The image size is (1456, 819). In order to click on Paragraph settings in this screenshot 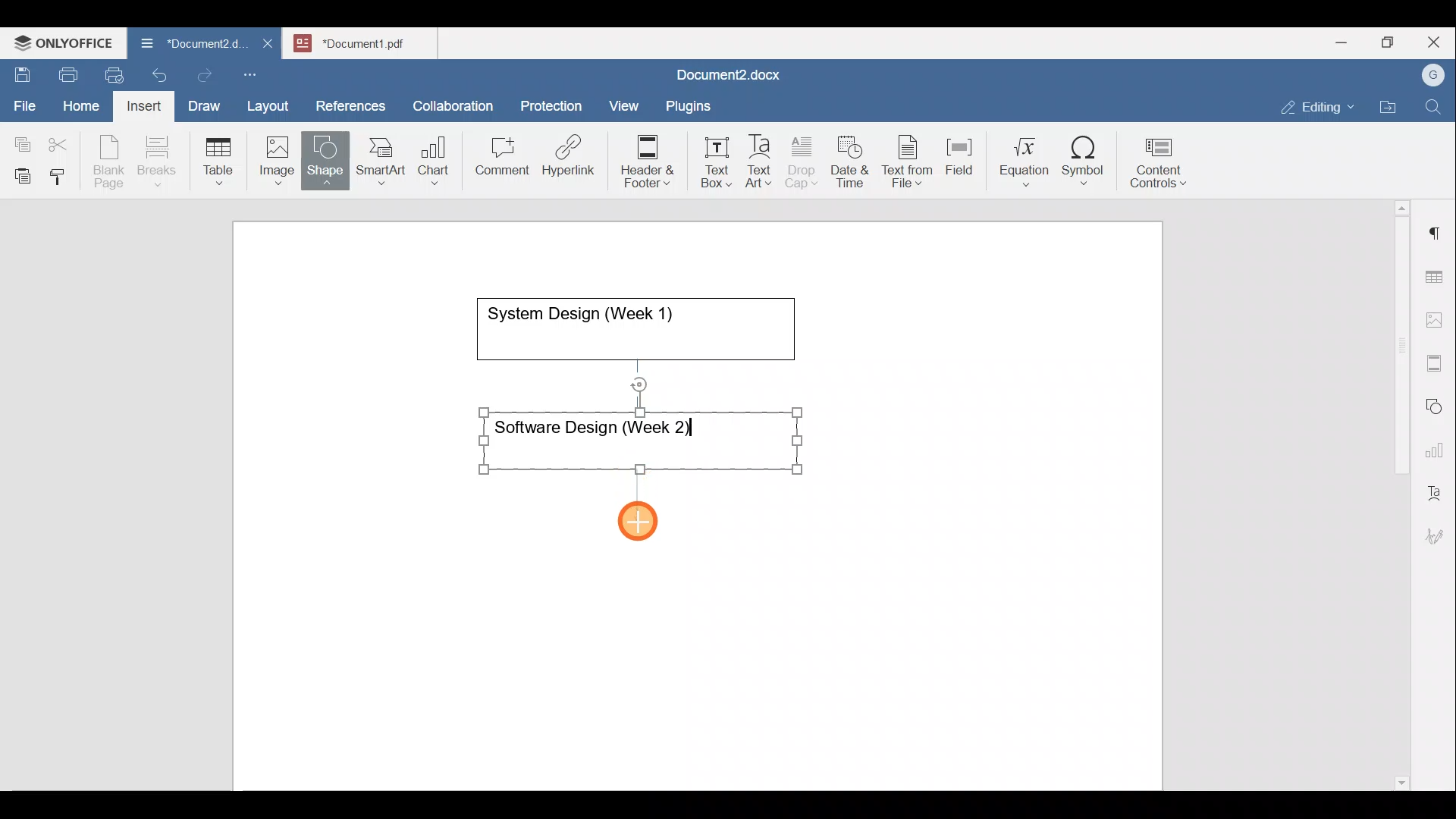, I will do `click(1436, 227)`.